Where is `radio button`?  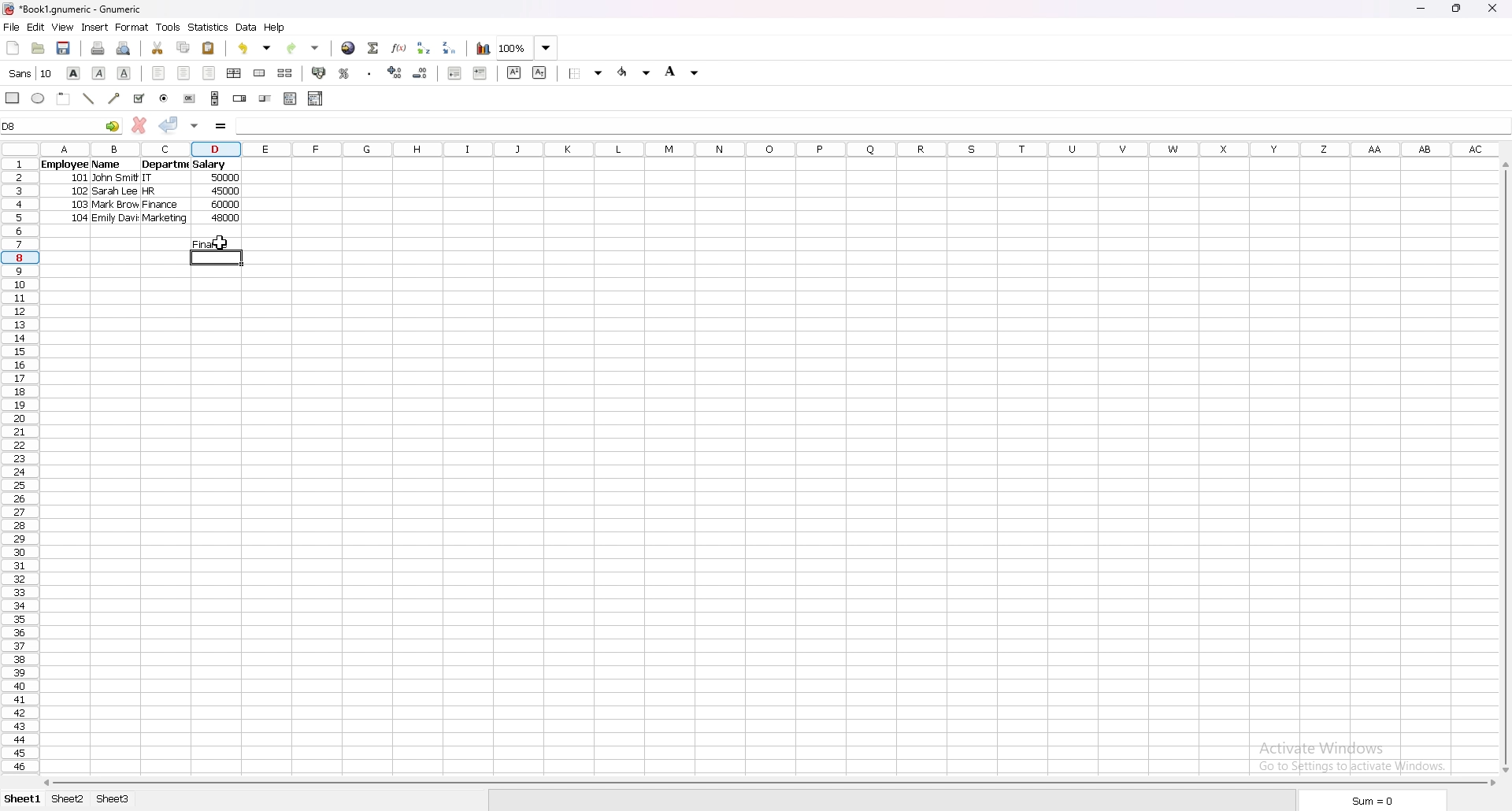 radio button is located at coordinates (164, 98).